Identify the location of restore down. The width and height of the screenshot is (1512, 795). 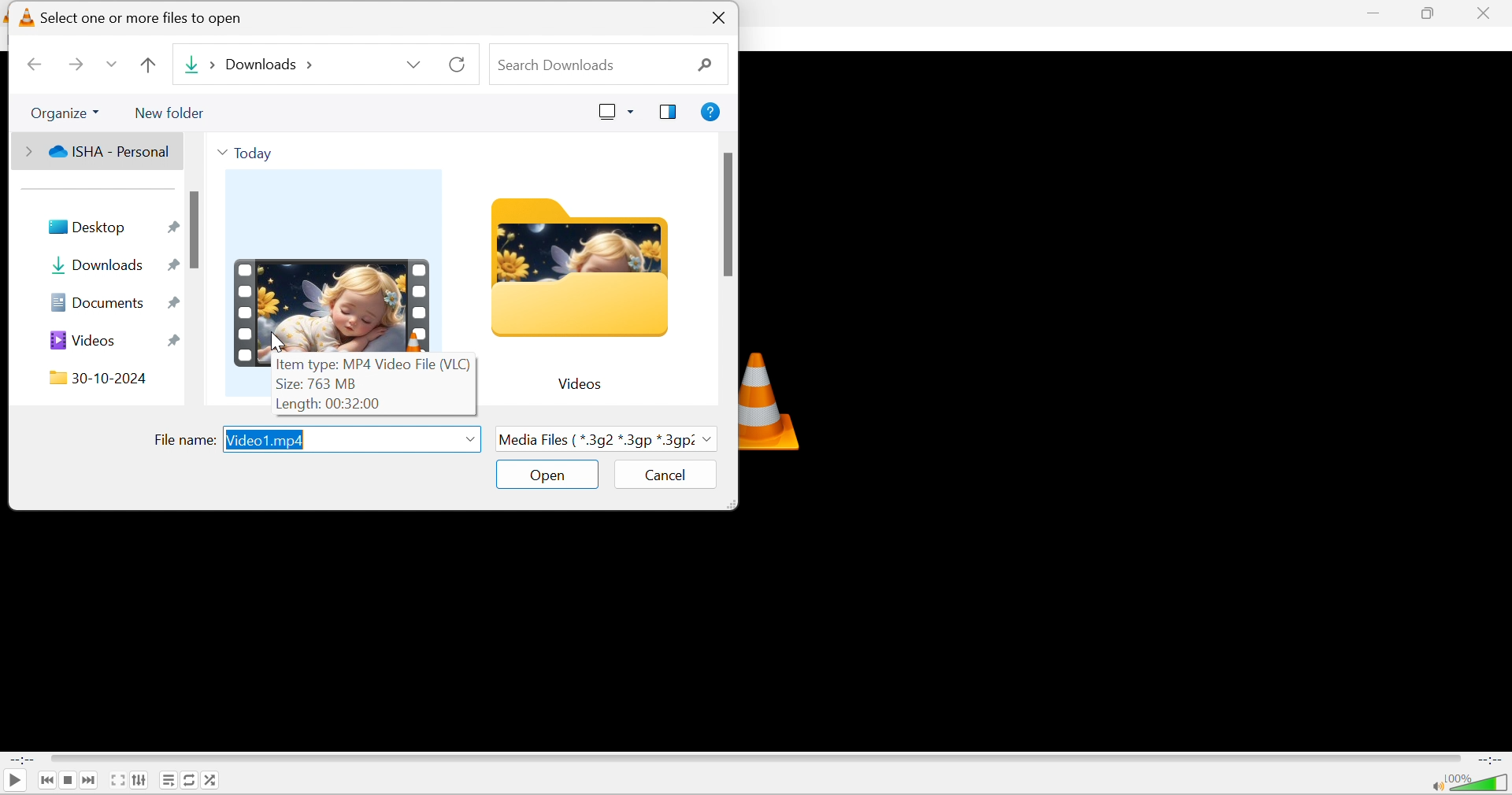
(1430, 11).